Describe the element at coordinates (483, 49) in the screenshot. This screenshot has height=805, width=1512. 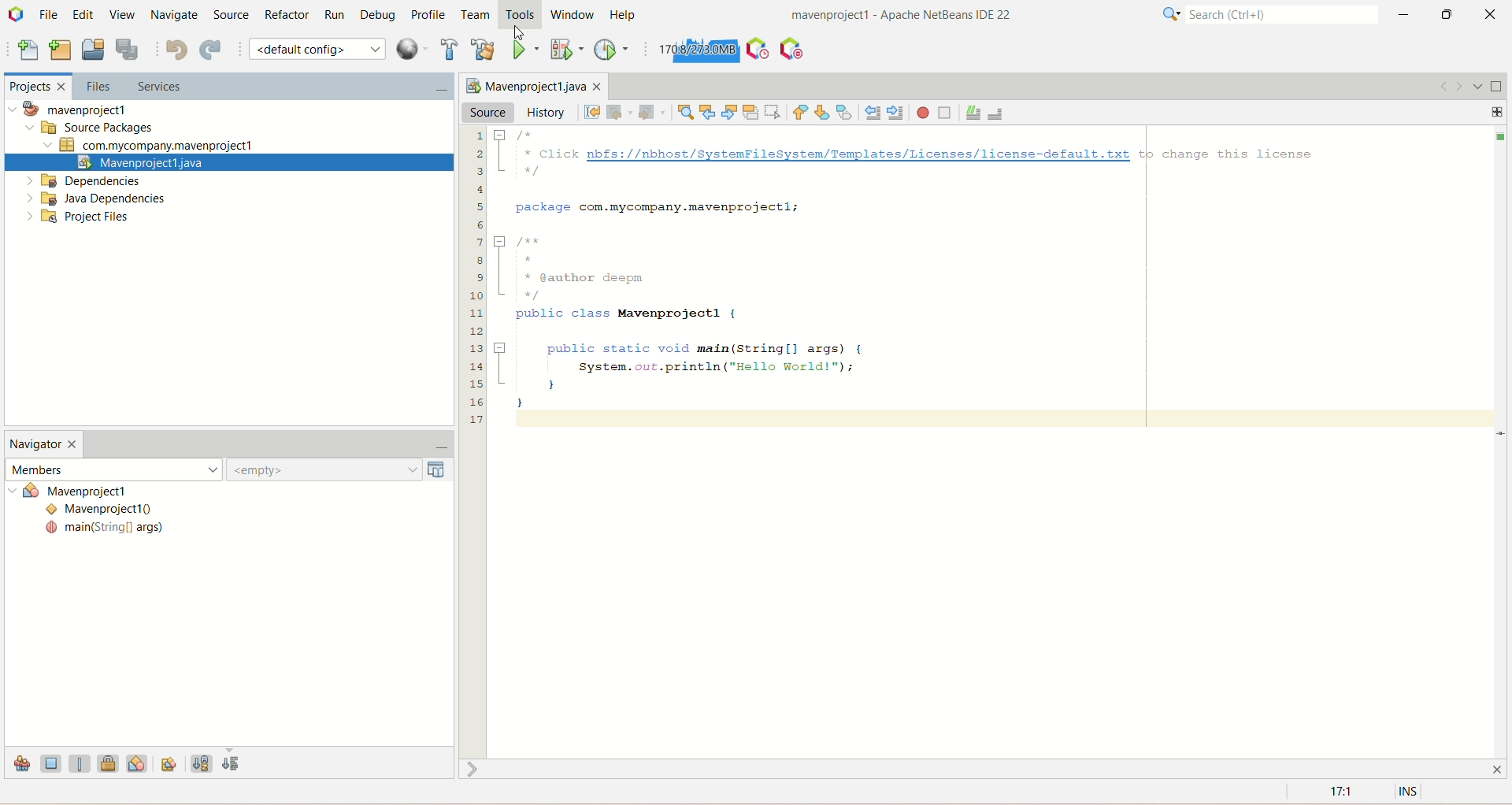
I see `clean and build project` at that location.